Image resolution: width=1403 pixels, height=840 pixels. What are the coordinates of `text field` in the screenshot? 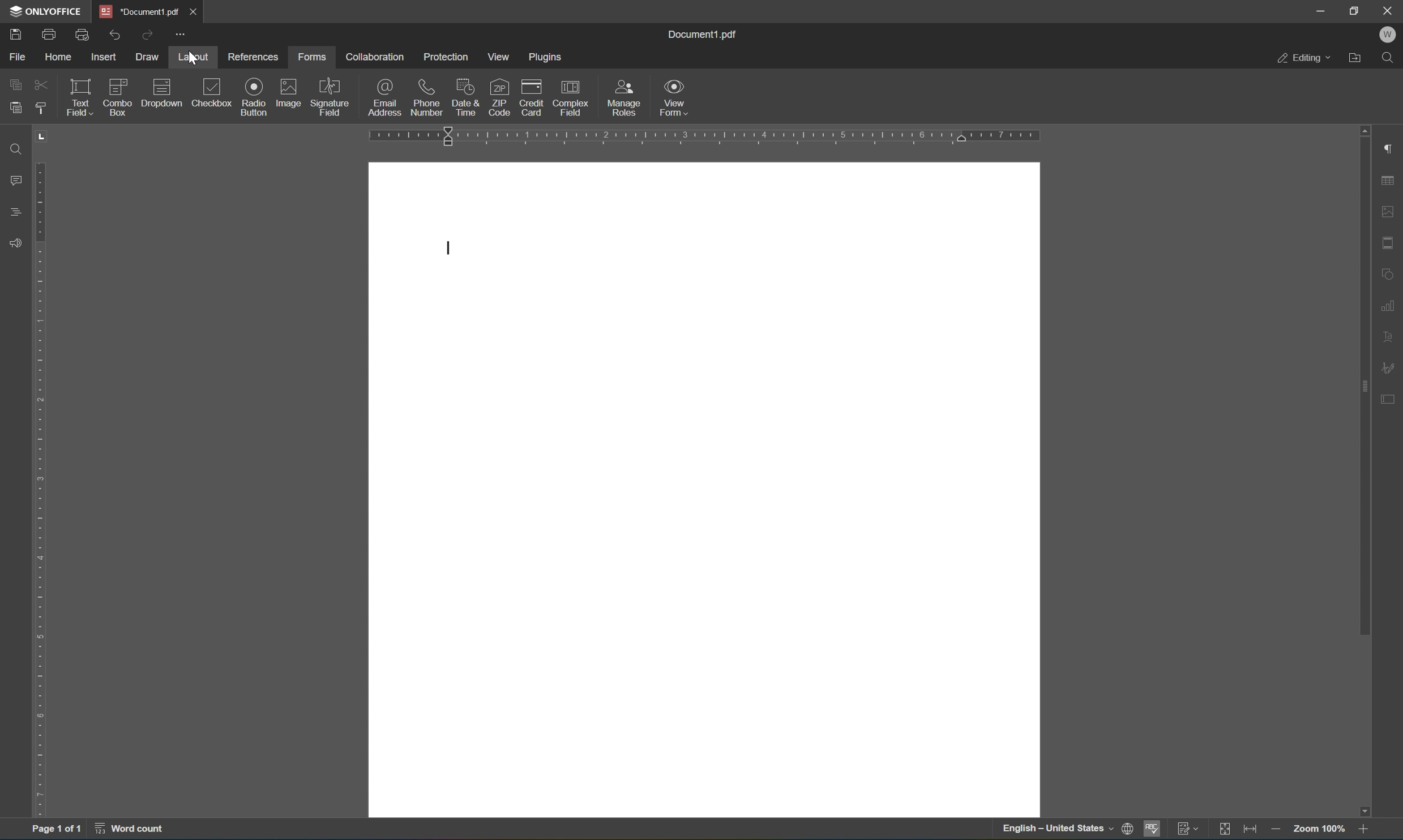 It's located at (79, 97).